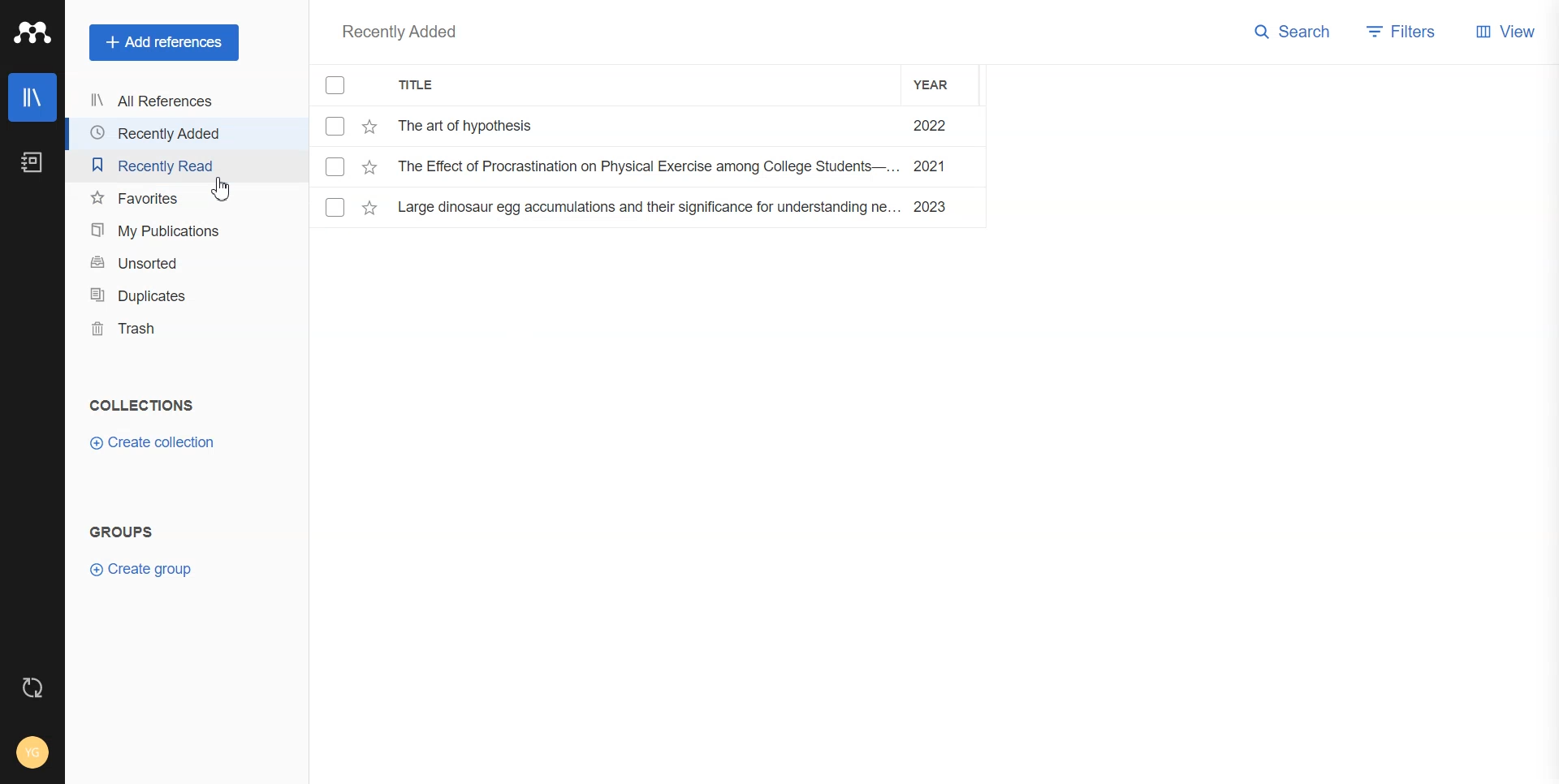  Describe the element at coordinates (338, 86) in the screenshot. I see `Checkmarks` at that location.